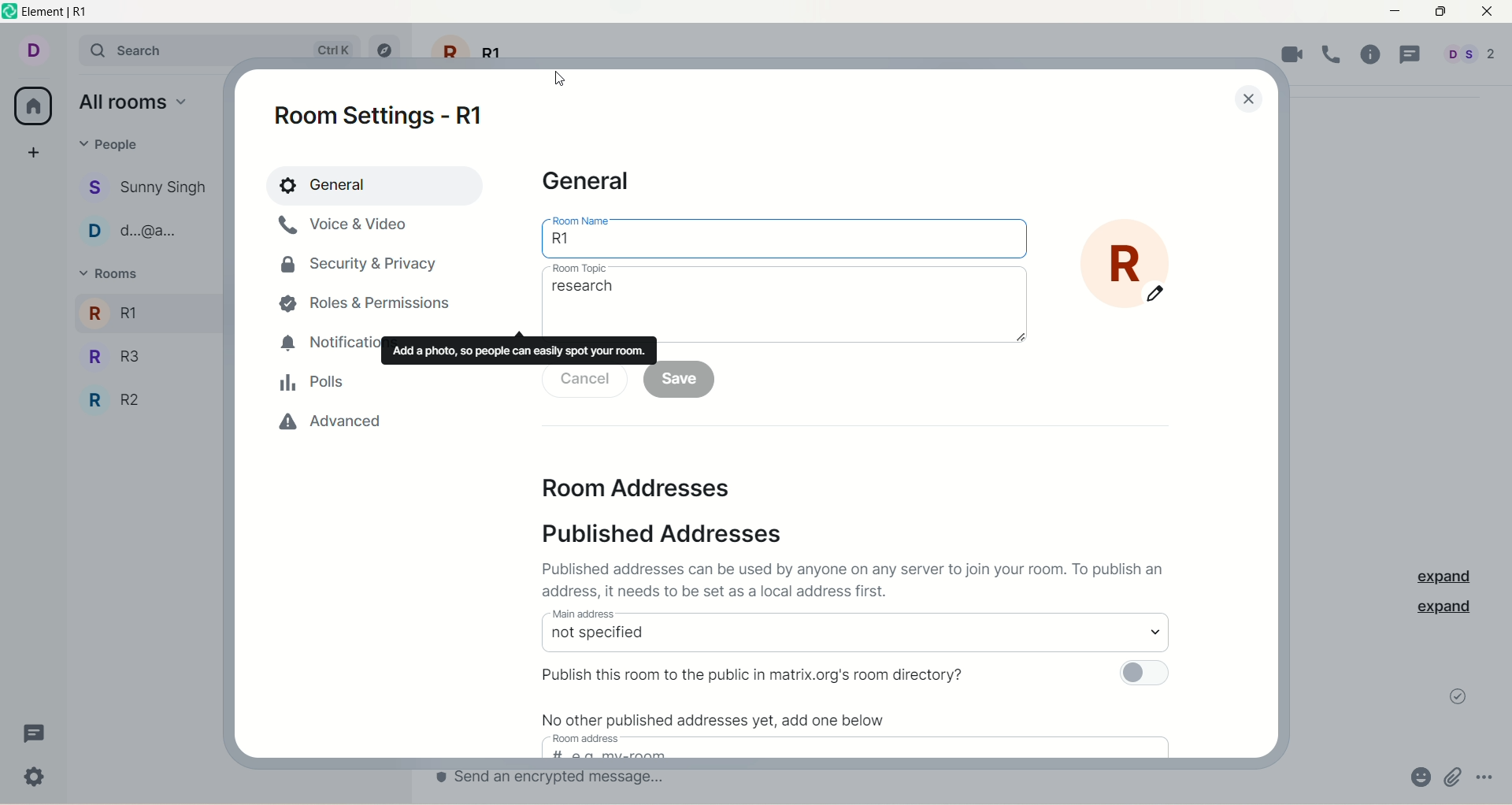  What do you see at coordinates (1332, 55) in the screenshot?
I see `voice call` at bounding box center [1332, 55].